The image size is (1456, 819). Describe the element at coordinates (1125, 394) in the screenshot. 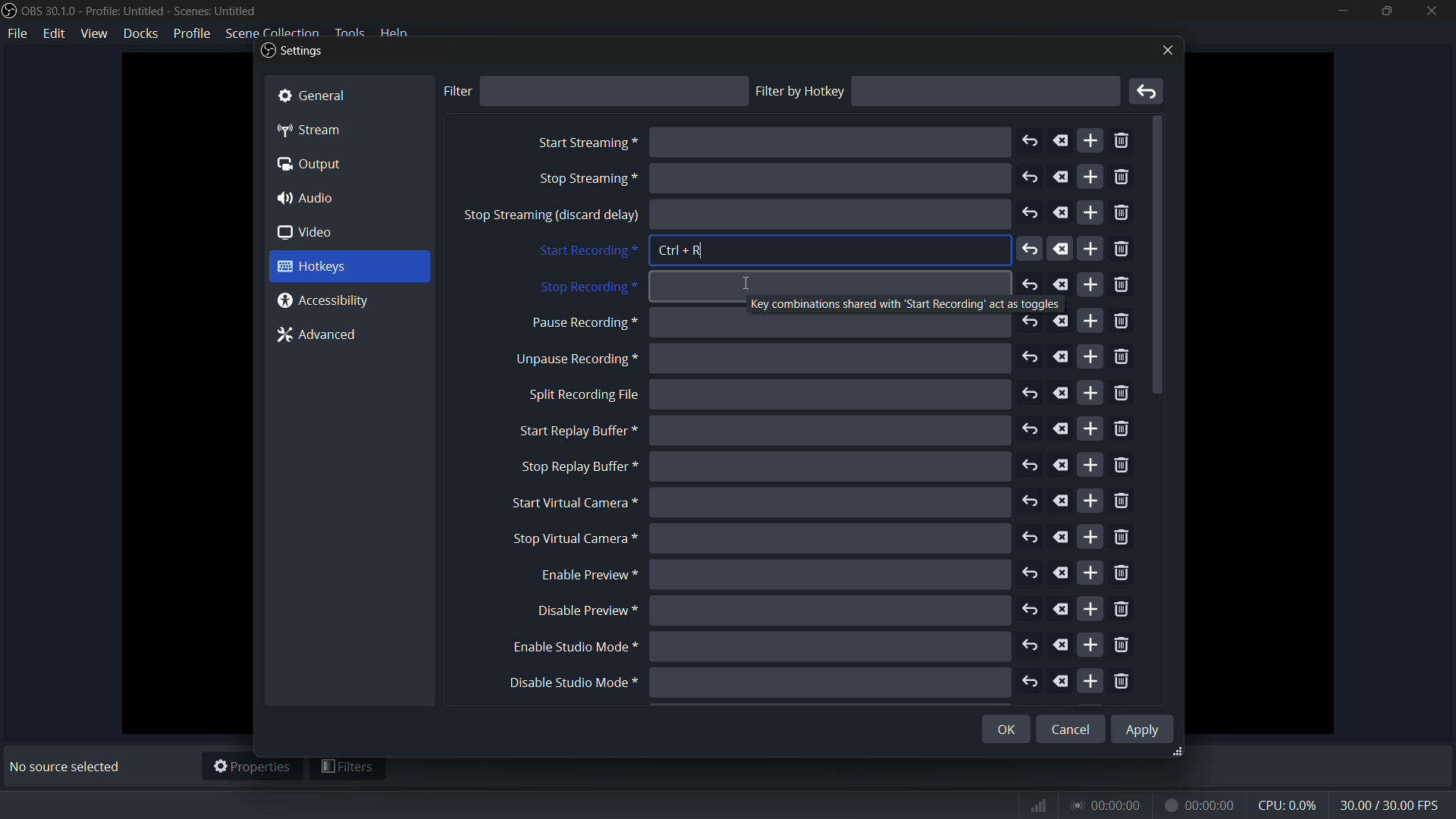

I see `remove` at that location.